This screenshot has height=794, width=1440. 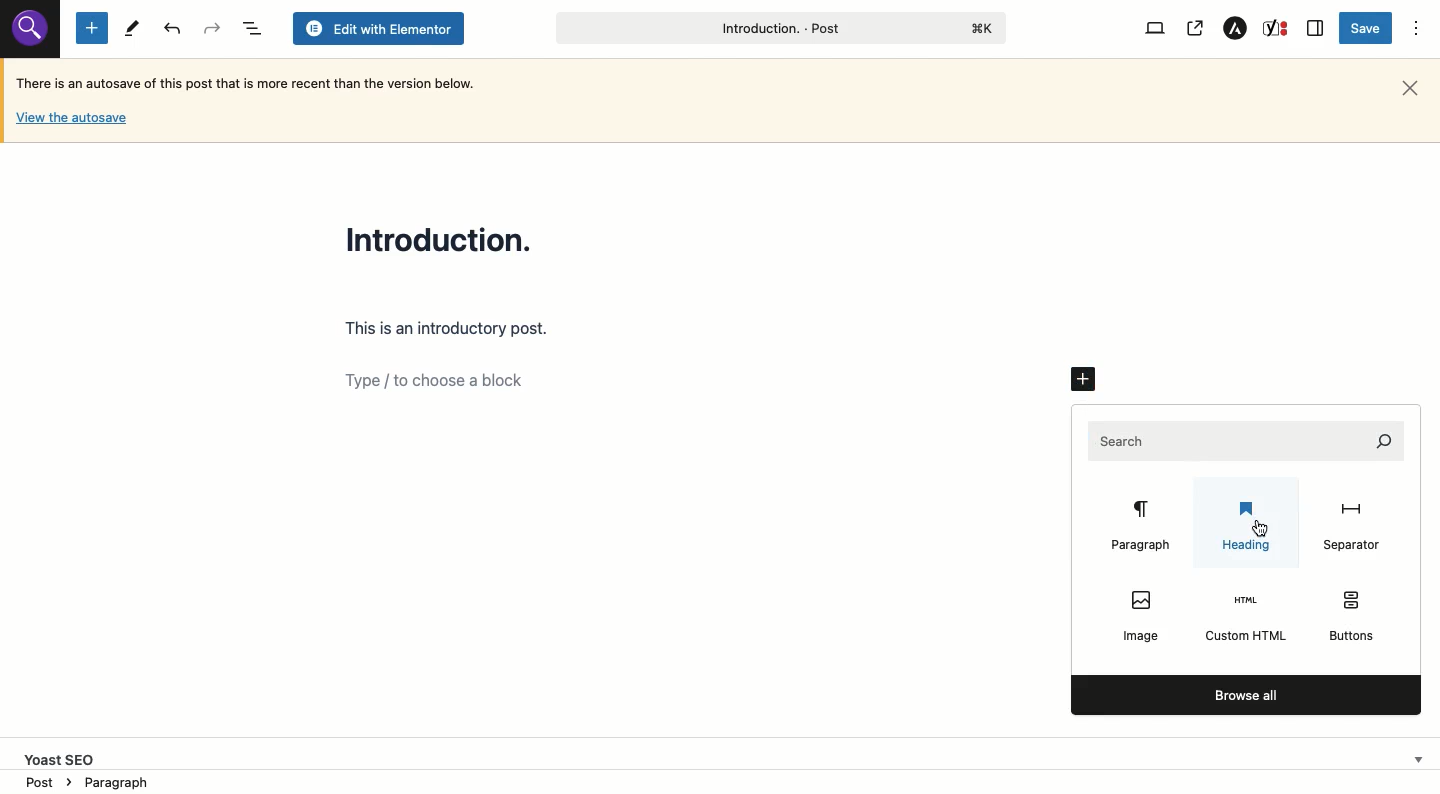 I want to click on Edit with elementor, so click(x=378, y=29).